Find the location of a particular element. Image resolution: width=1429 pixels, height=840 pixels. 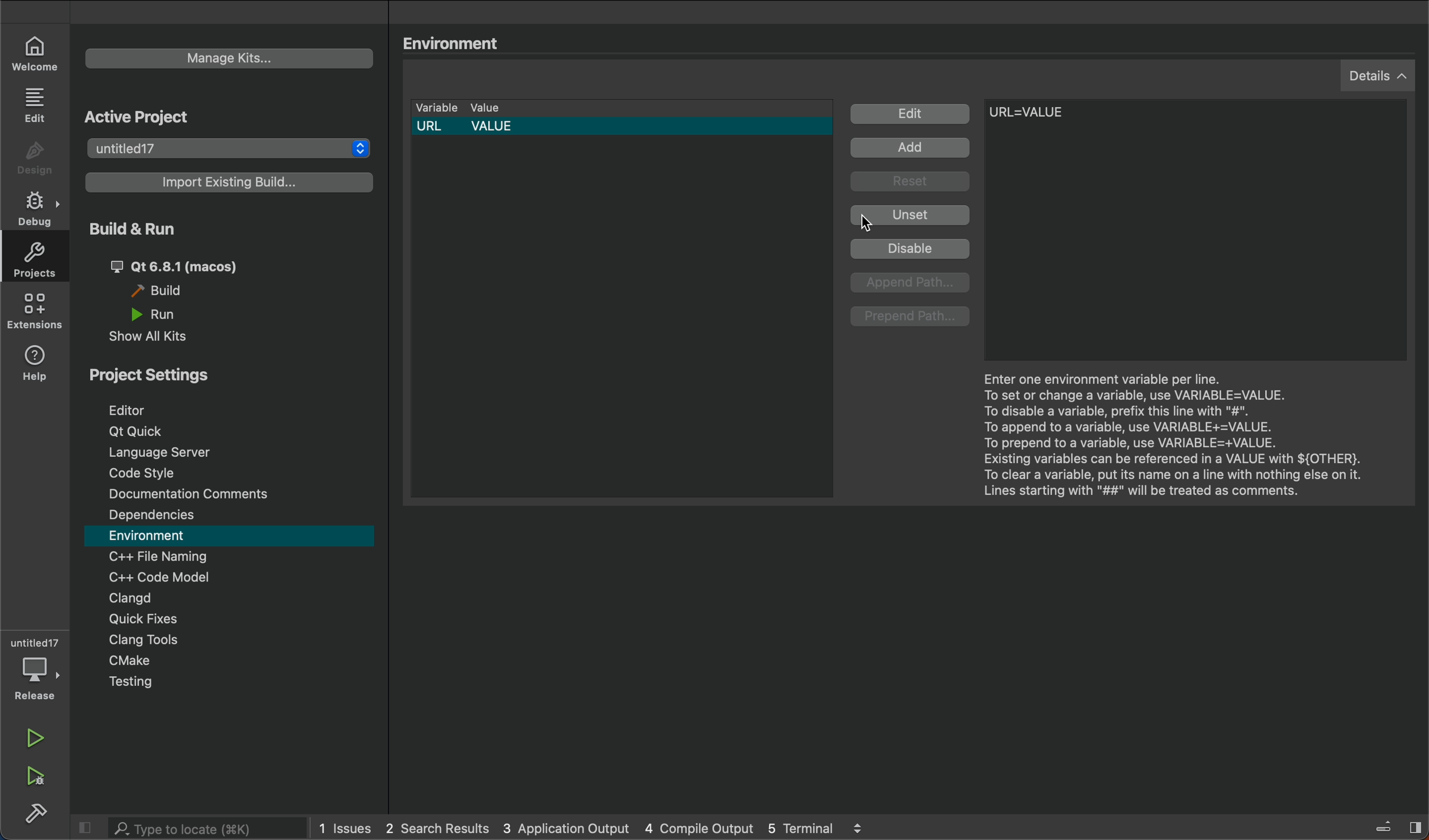

details is located at coordinates (1372, 77).